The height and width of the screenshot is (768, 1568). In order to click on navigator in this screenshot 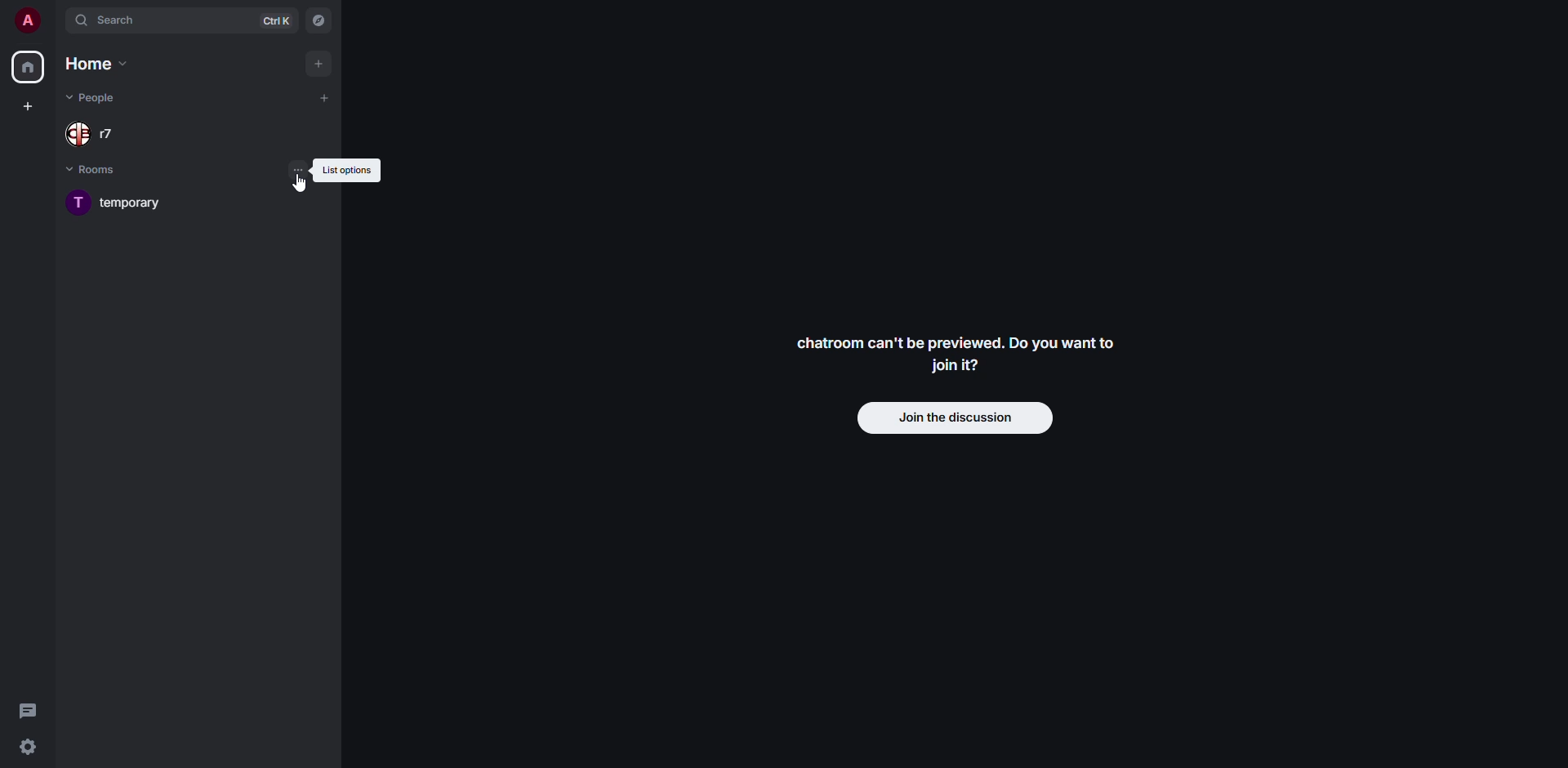, I will do `click(320, 20)`.